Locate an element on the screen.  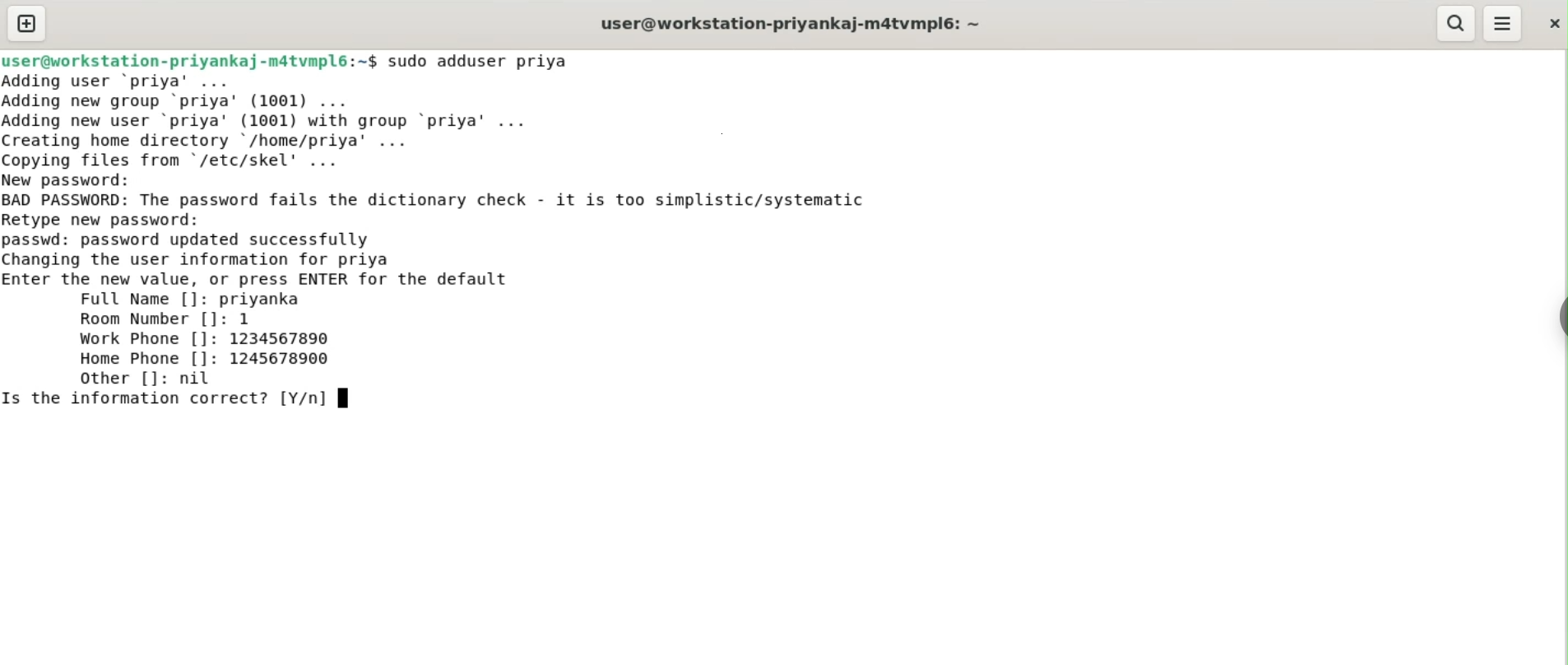
search is located at coordinates (1457, 24).